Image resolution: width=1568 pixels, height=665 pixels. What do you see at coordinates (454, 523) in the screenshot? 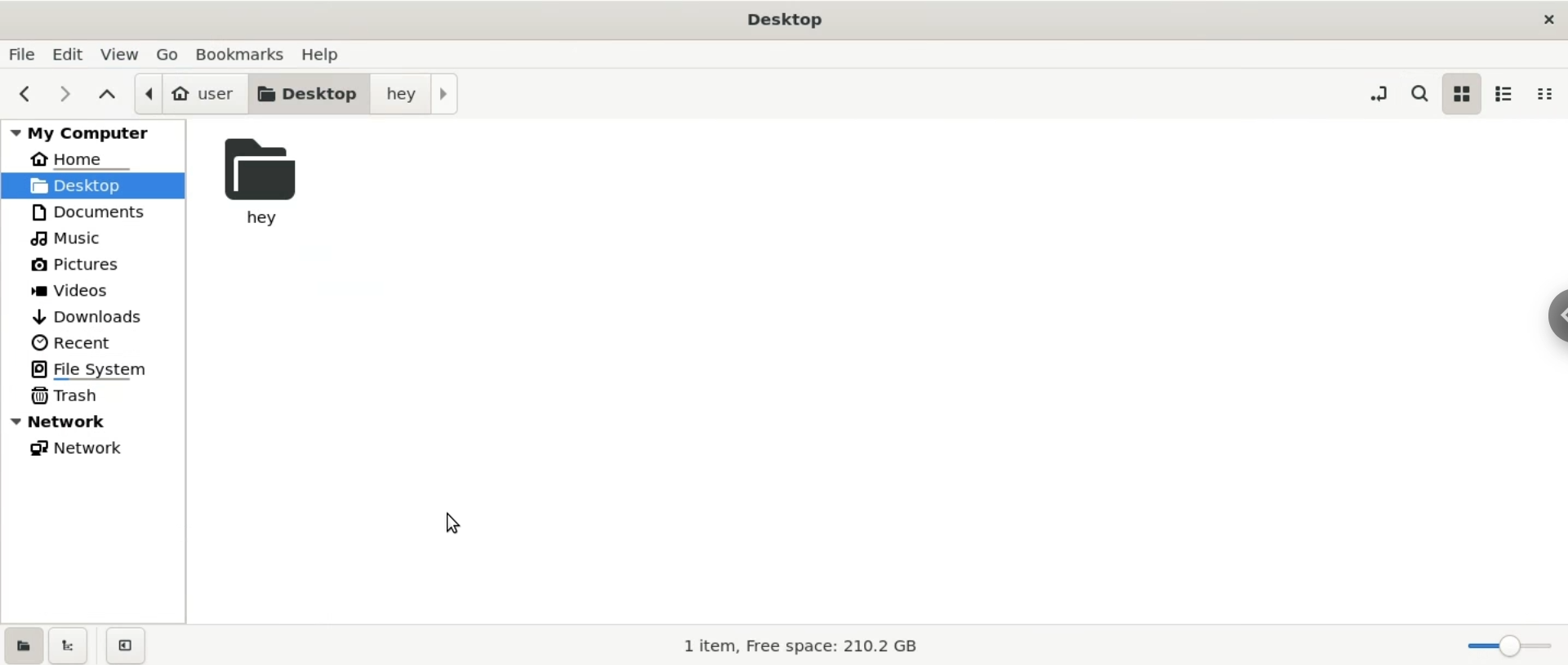
I see `cursor` at bounding box center [454, 523].